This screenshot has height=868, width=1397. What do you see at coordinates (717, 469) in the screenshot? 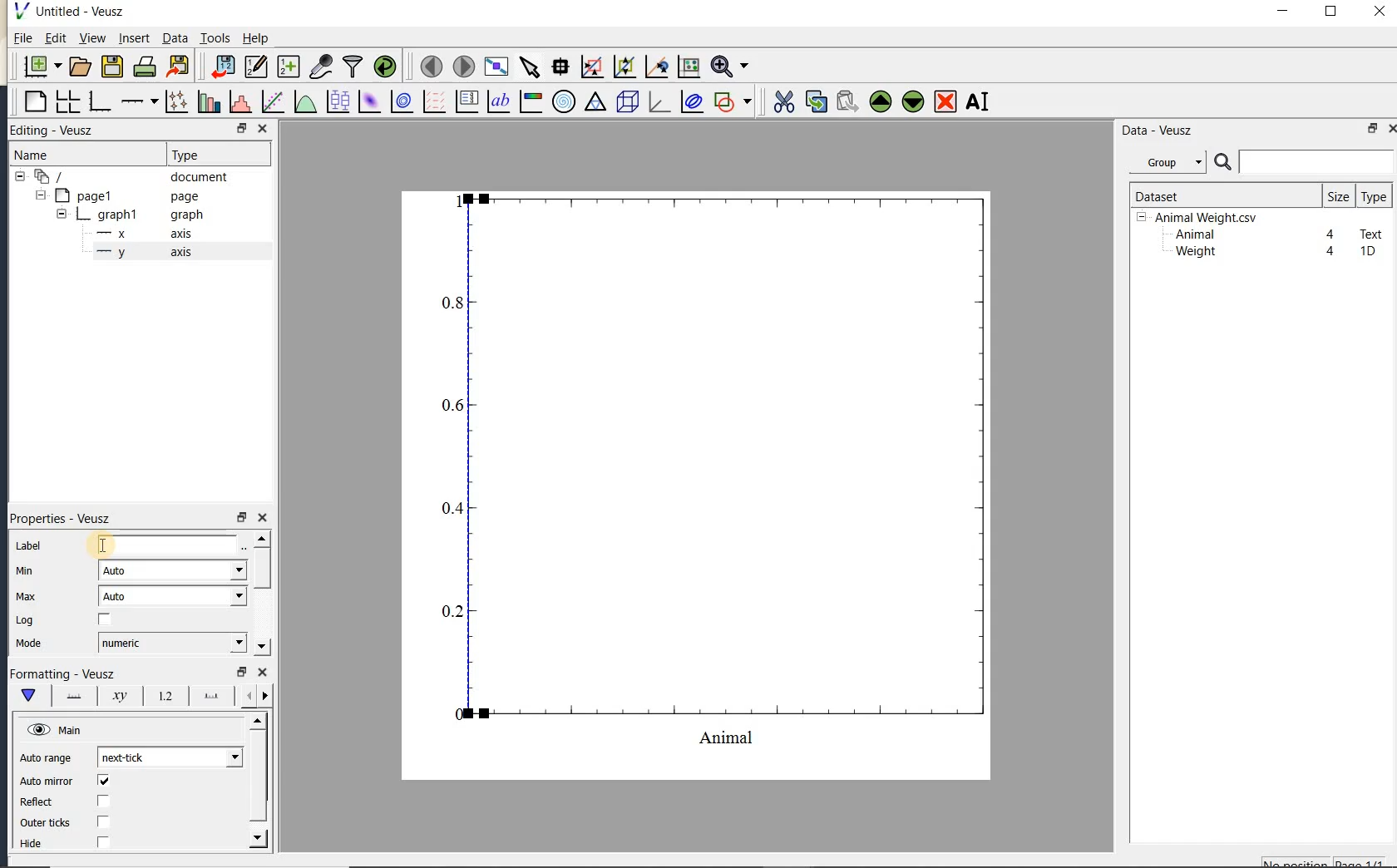
I see `graph` at bounding box center [717, 469].